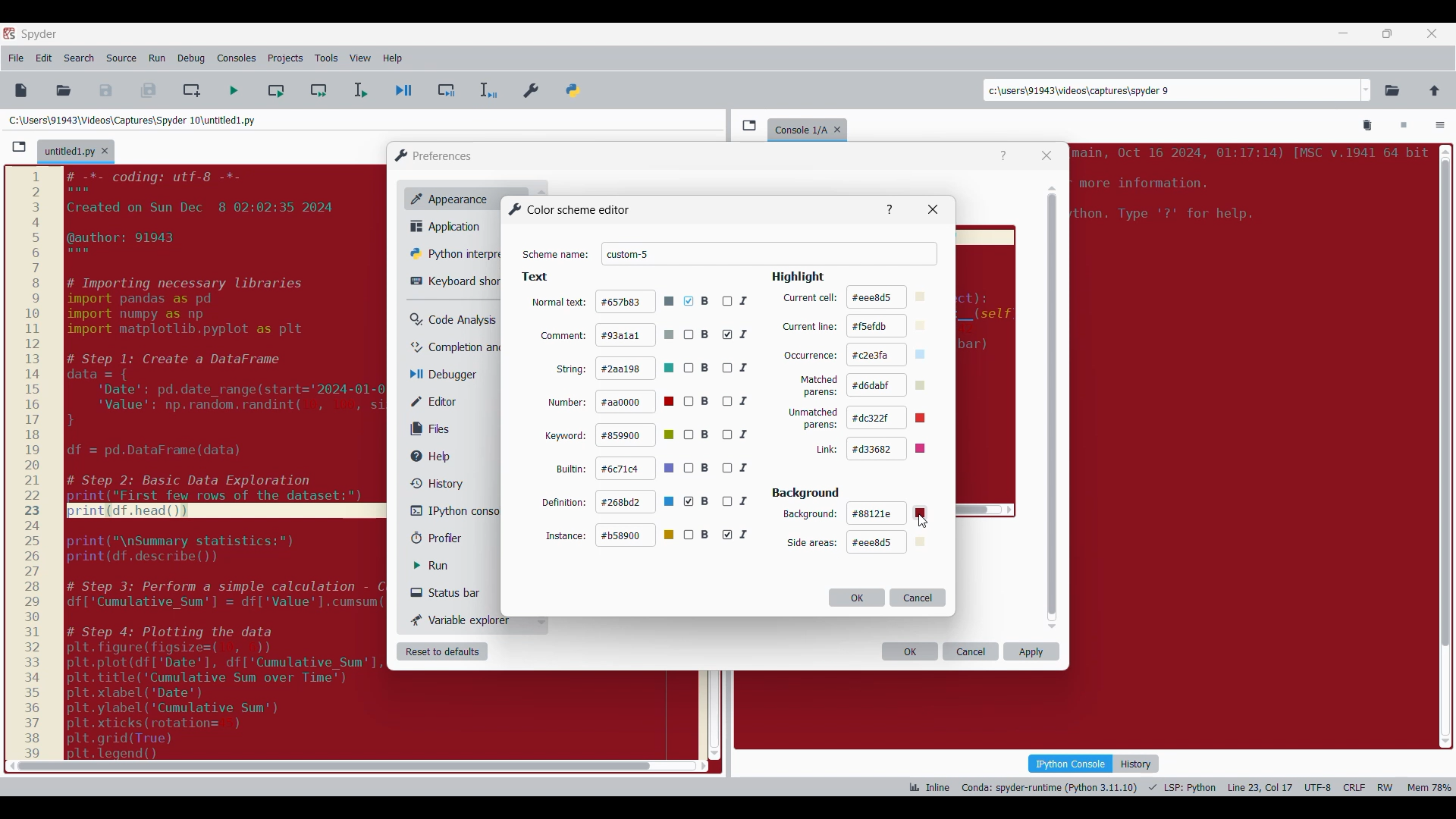 The height and width of the screenshot is (819, 1456). I want to click on matched parens, so click(819, 386).